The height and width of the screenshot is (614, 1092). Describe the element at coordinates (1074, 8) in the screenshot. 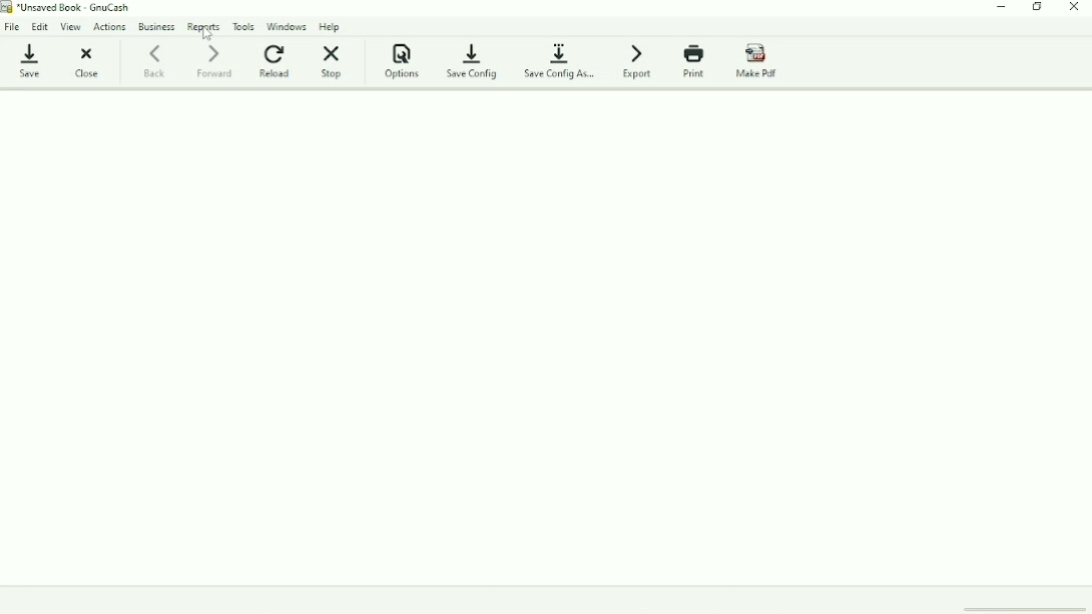

I see `Close` at that location.